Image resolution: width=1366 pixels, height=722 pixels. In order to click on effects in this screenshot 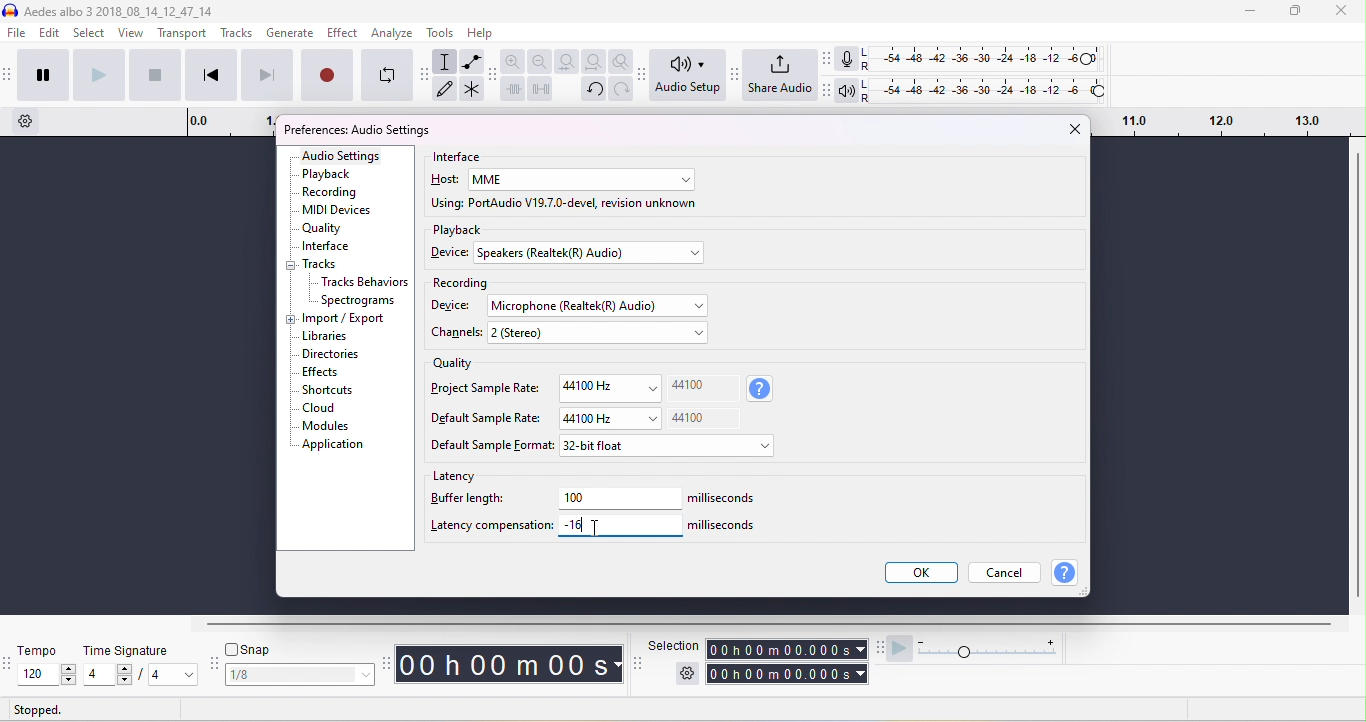, I will do `click(322, 372)`.